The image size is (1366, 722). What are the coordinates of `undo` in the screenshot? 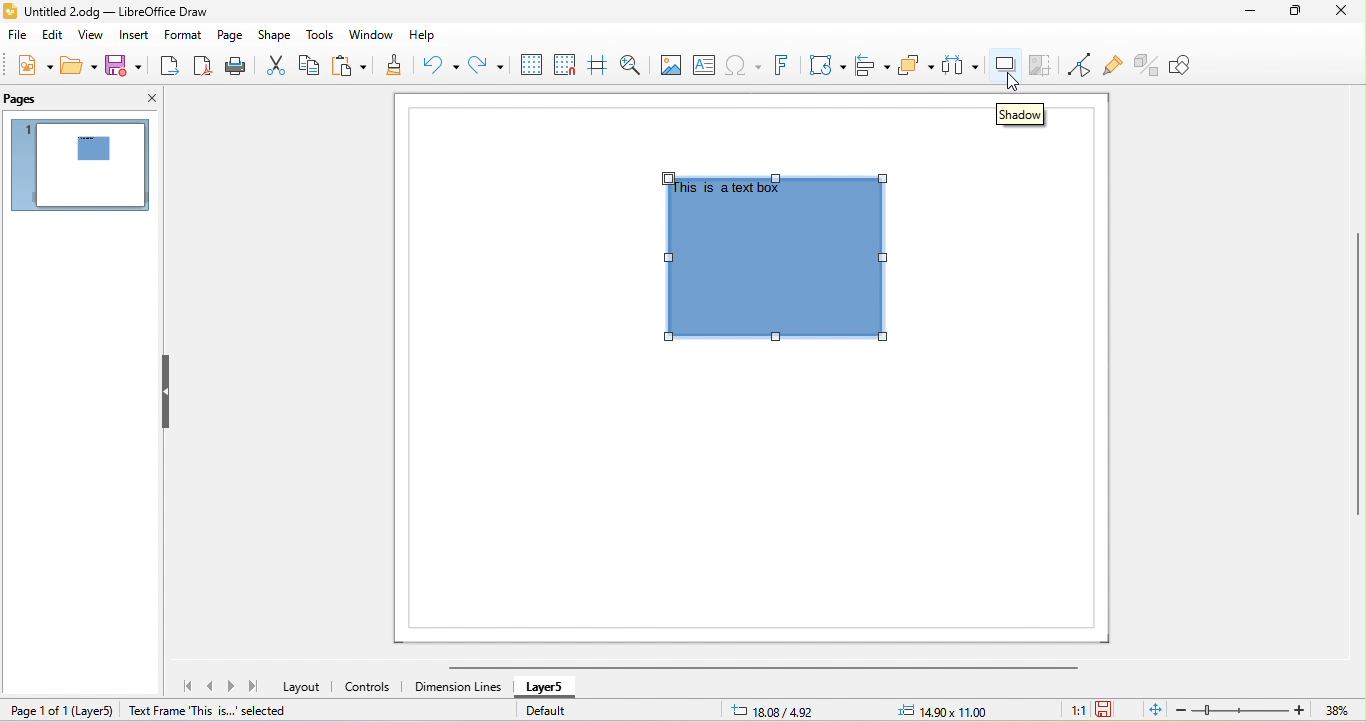 It's located at (438, 69).